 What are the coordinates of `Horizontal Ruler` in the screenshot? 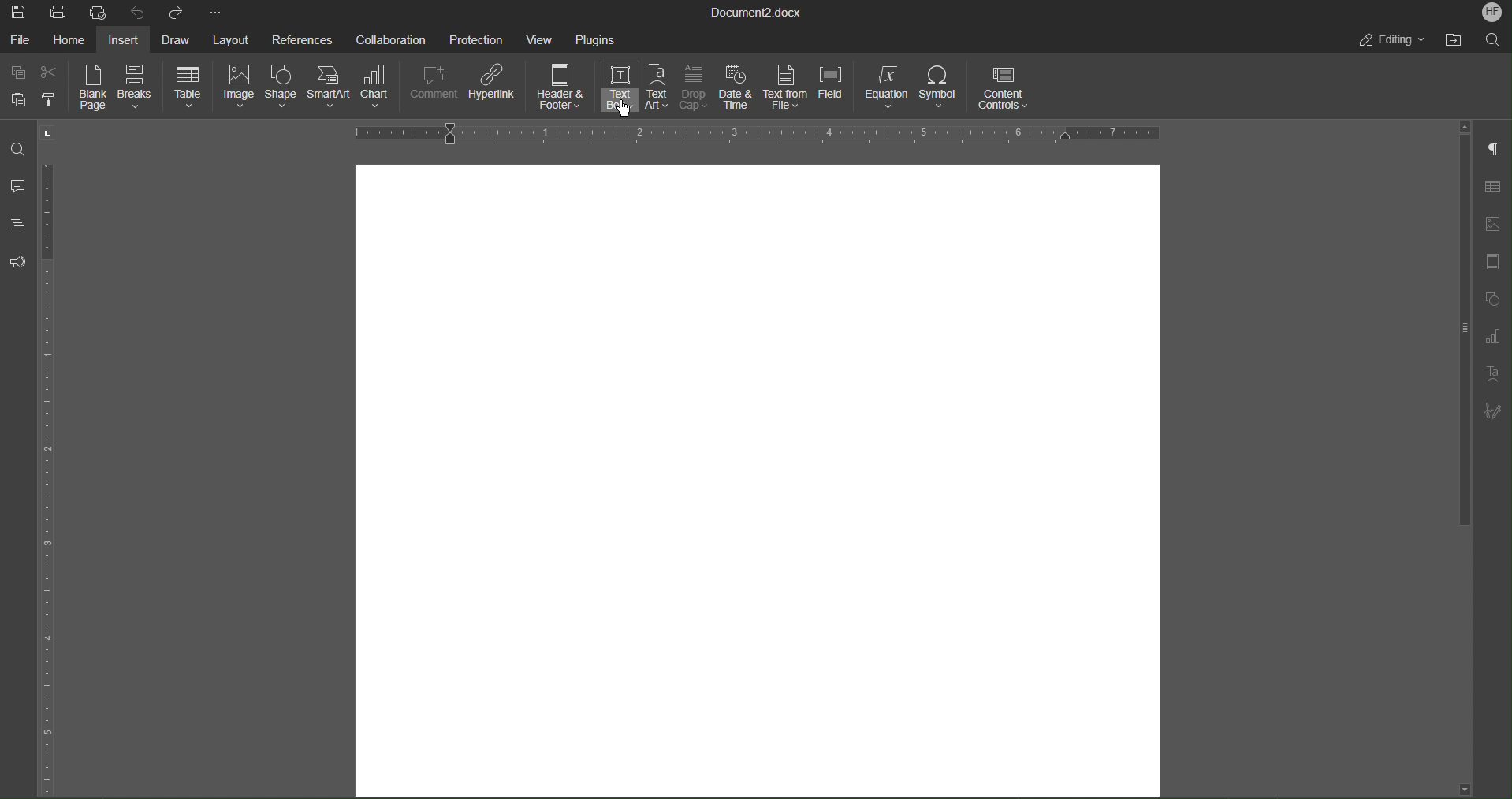 It's located at (755, 134).